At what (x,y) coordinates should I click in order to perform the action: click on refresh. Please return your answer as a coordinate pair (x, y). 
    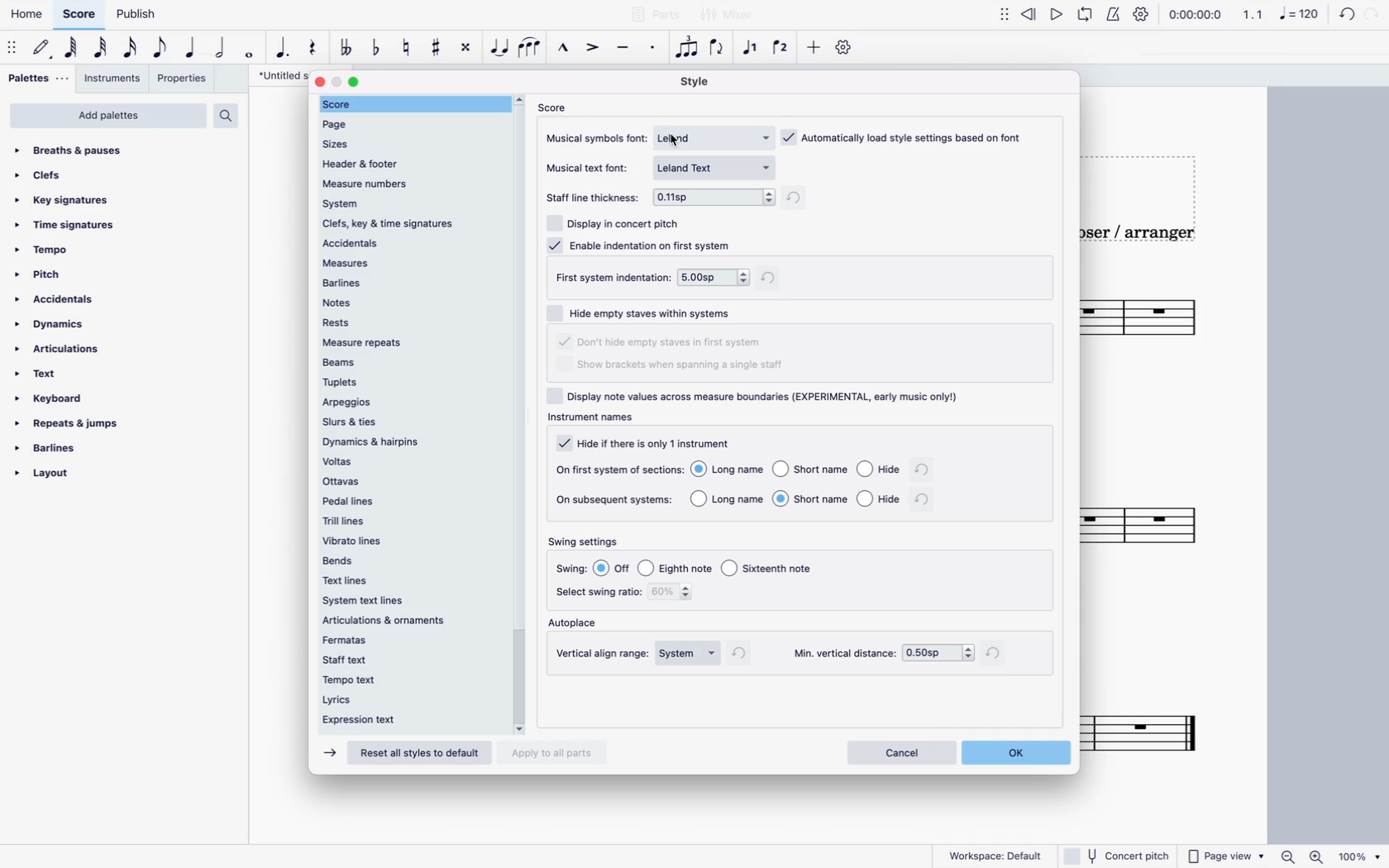
    Looking at the image, I should click on (997, 652).